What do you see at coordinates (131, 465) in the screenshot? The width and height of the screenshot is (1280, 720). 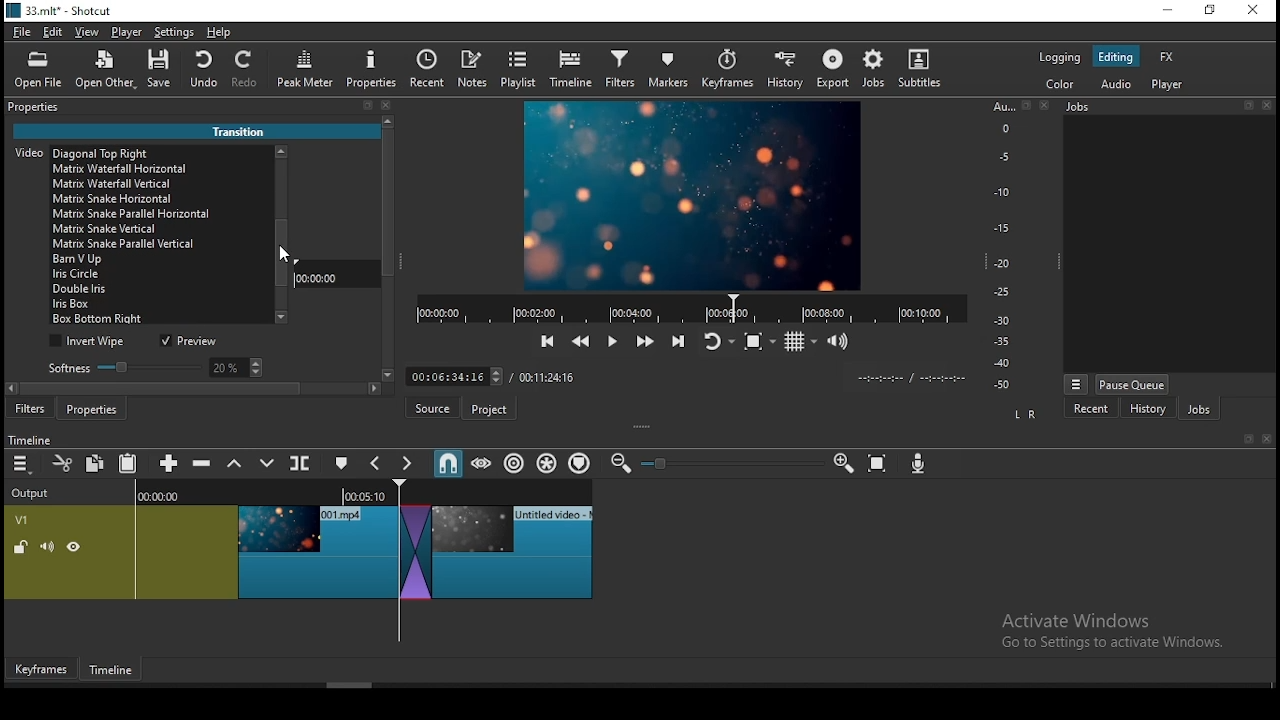 I see `paste` at bounding box center [131, 465].